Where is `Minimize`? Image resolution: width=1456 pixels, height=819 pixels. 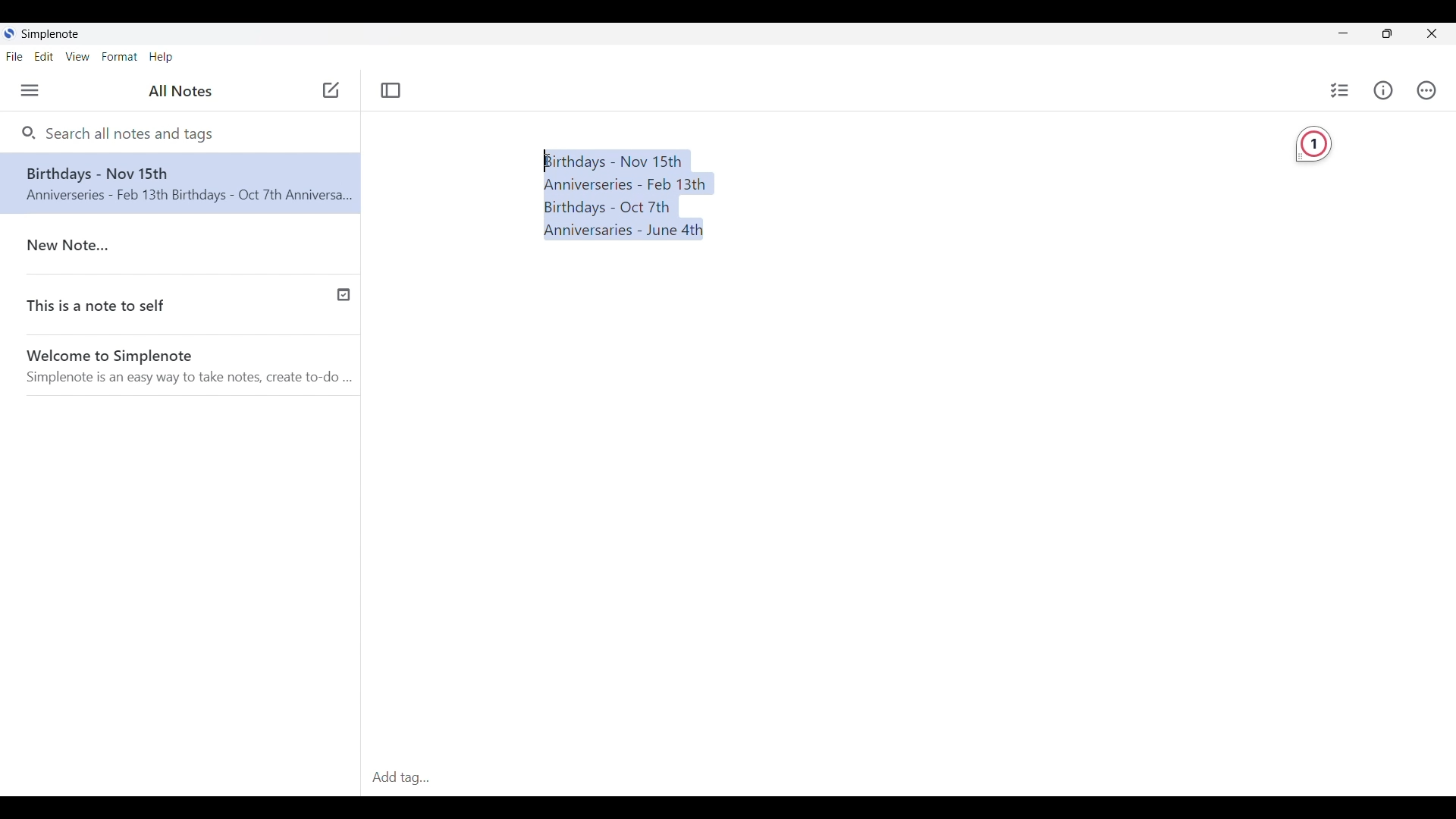 Minimize is located at coordinates (1344, 33).